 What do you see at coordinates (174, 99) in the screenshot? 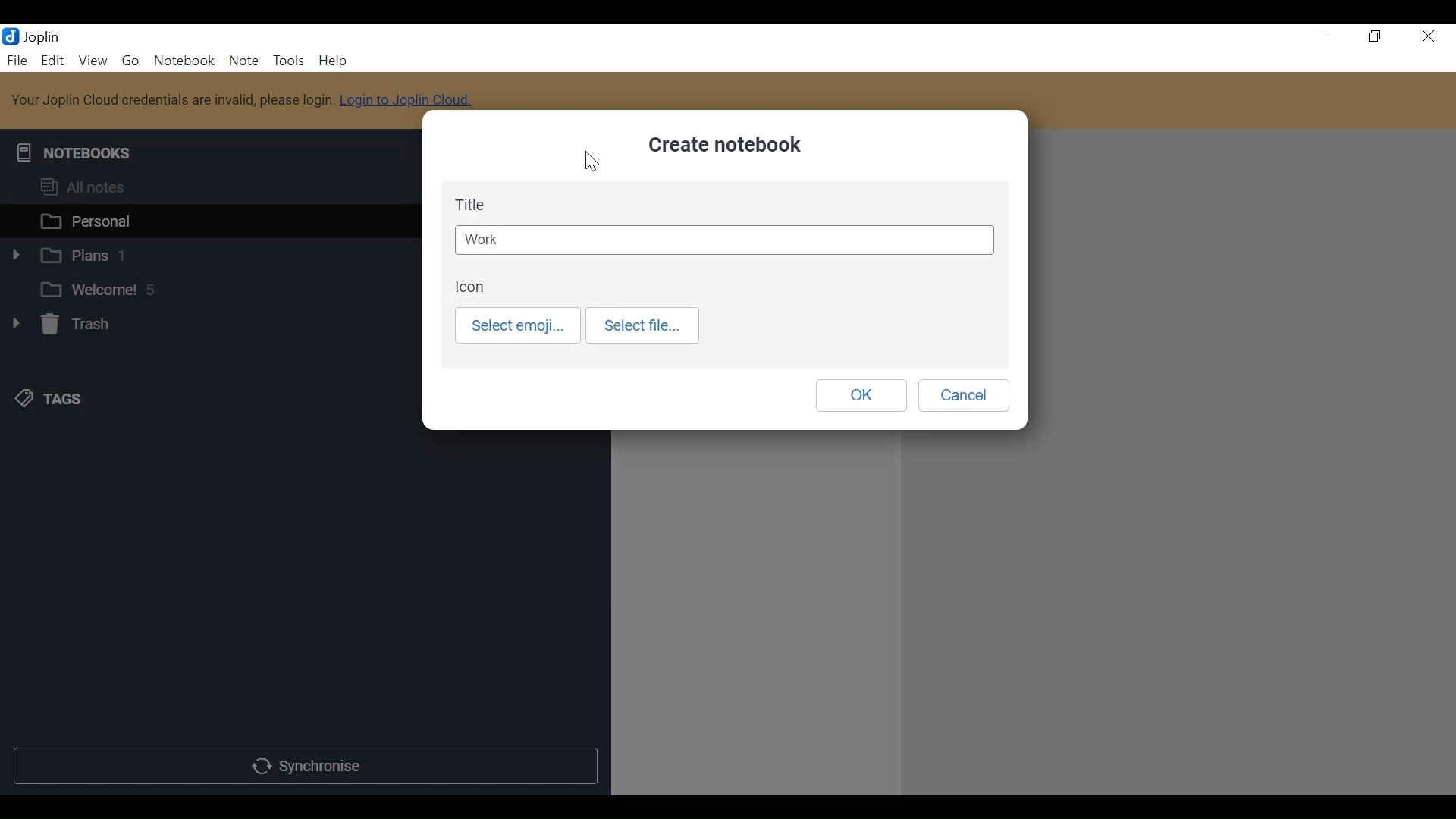
I see `Your Joplin cloud credentials are invalid, please login.` at bounding box center [174, 99].